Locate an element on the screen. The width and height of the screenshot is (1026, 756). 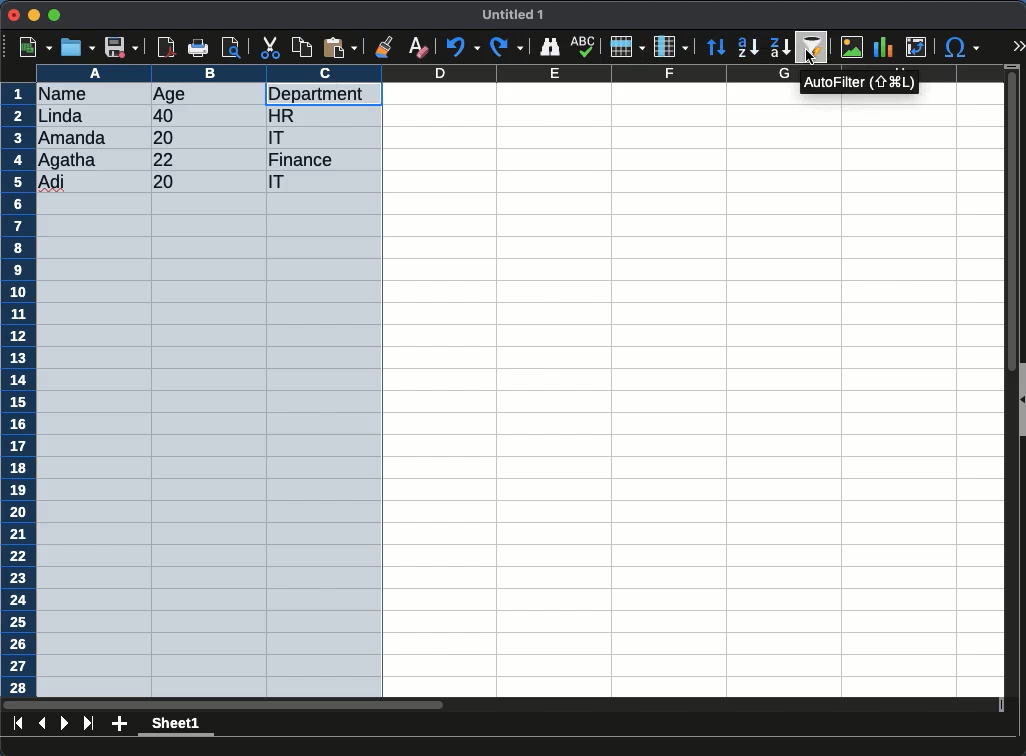
chart is located at coordinates (884, 47).